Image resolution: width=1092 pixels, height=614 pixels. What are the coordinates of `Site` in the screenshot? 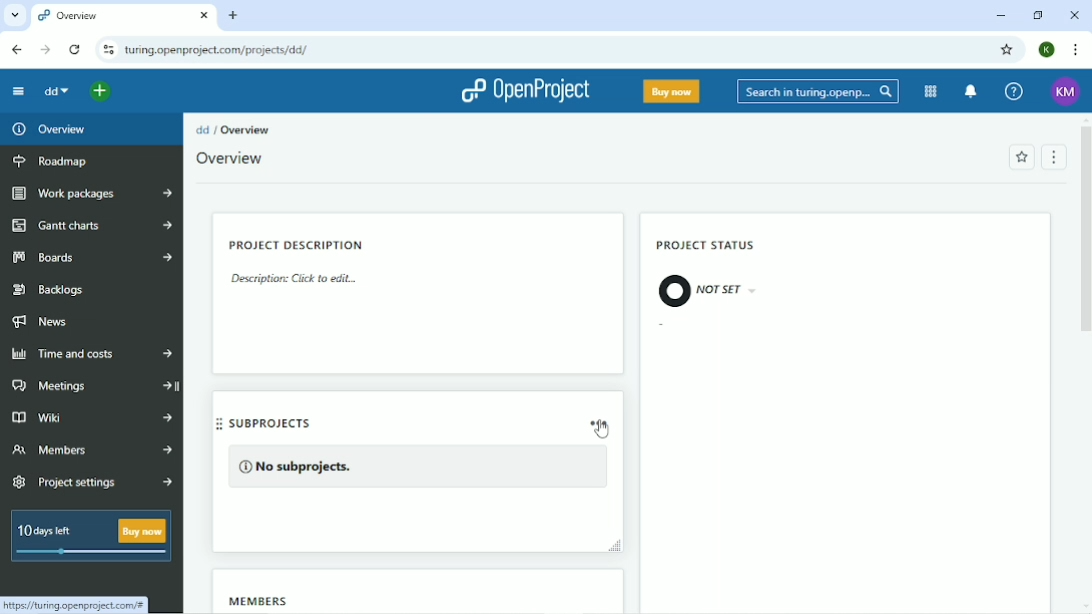 It's located at (216, 50).